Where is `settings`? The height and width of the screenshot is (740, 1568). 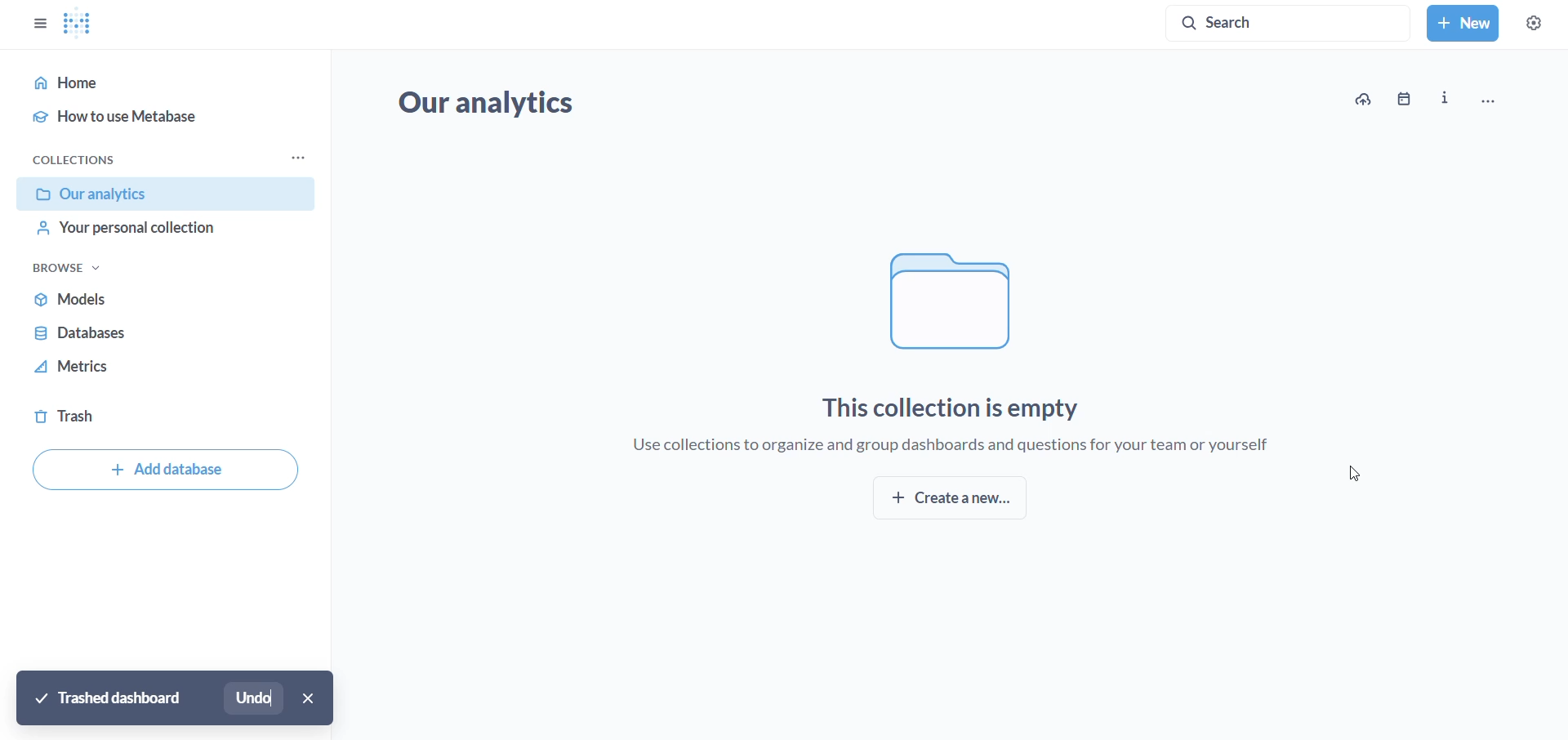 settings is located at coordinates (1532, 23).